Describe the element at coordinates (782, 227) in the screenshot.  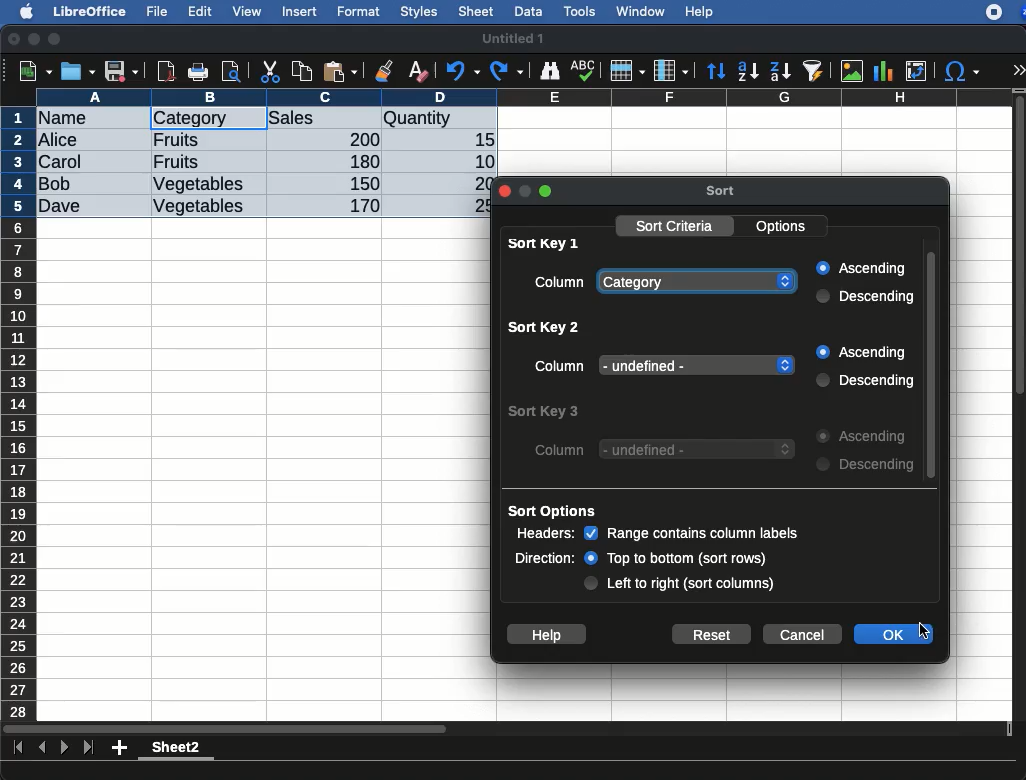
I see `options` at that location.